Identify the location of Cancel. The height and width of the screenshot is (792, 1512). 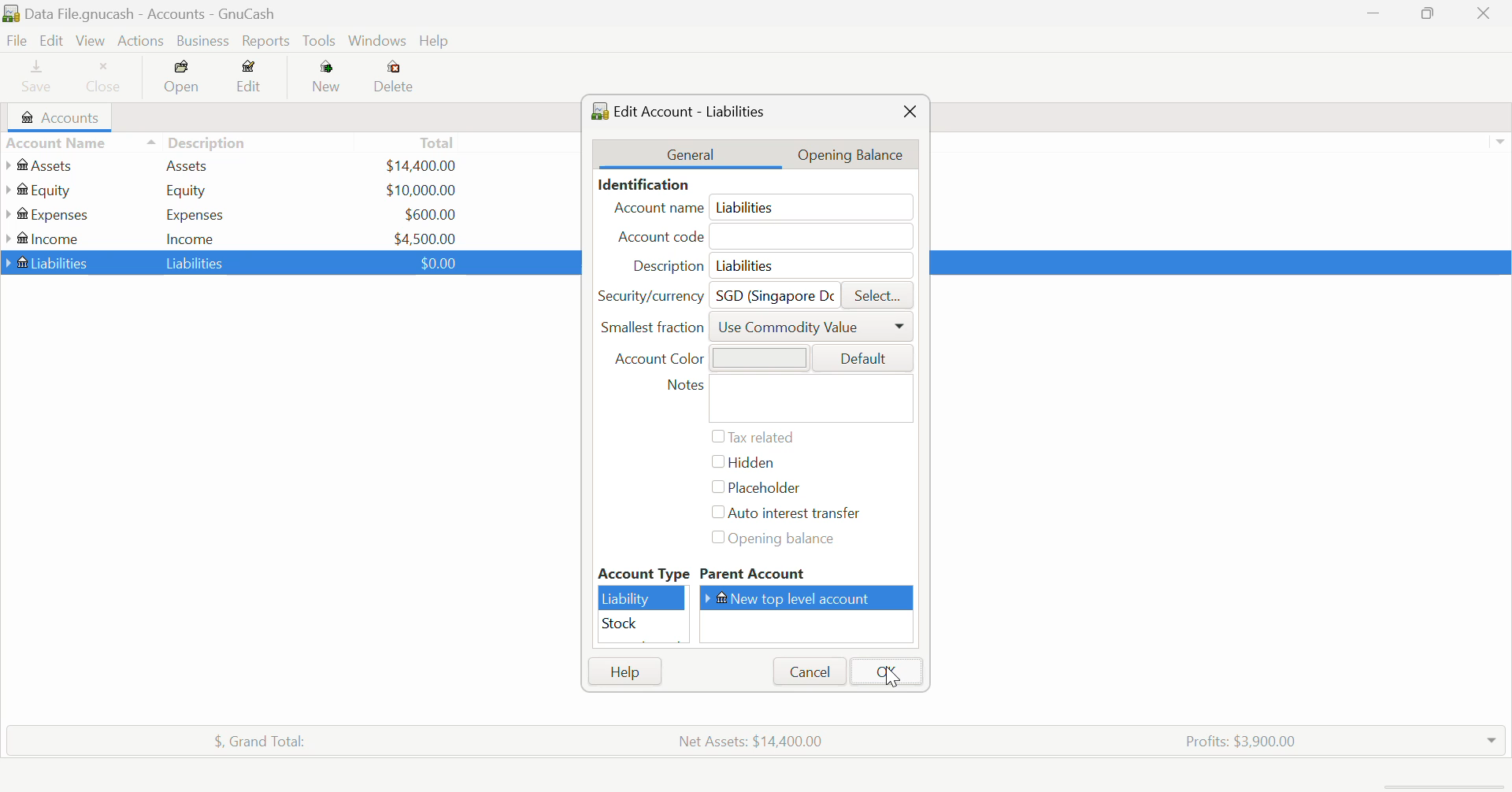
(808, 672).